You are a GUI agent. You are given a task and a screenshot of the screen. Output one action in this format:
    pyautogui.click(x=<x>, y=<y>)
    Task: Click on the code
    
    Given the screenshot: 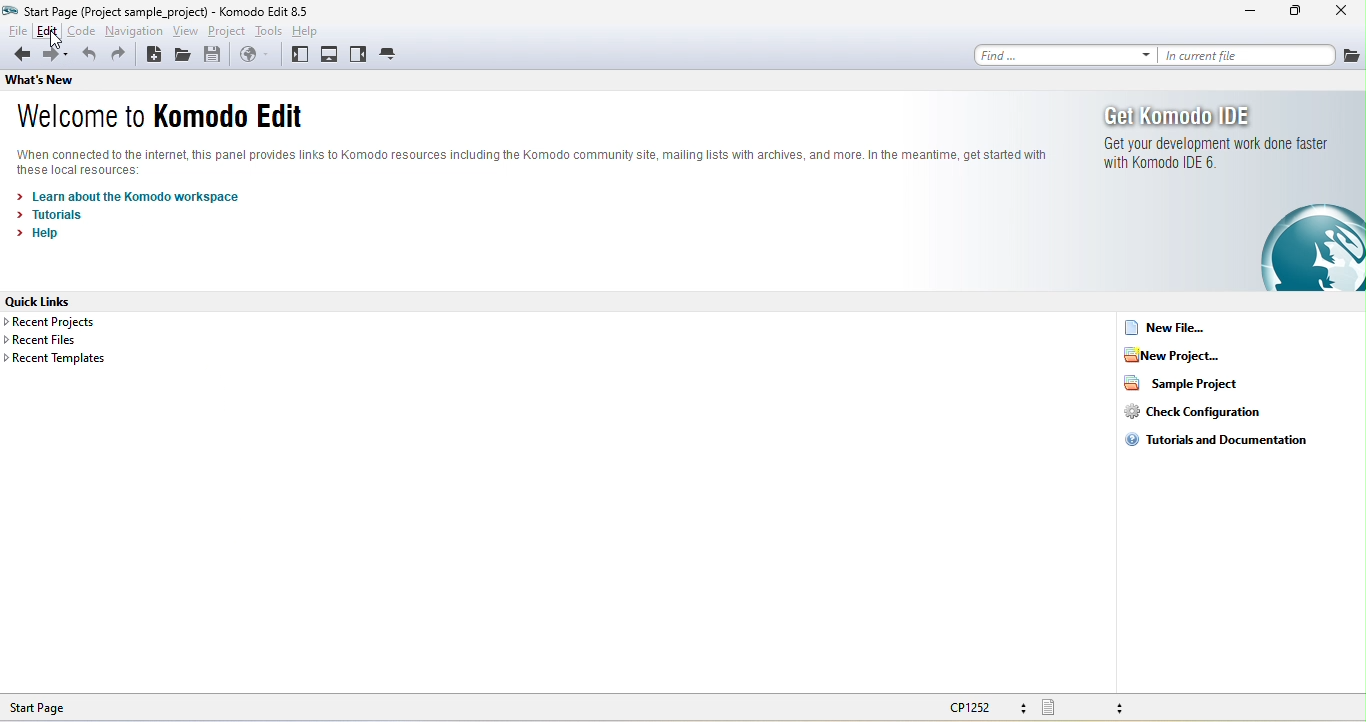 What is the action you would take?
    pyautogui.click(x=84, y=32)
    